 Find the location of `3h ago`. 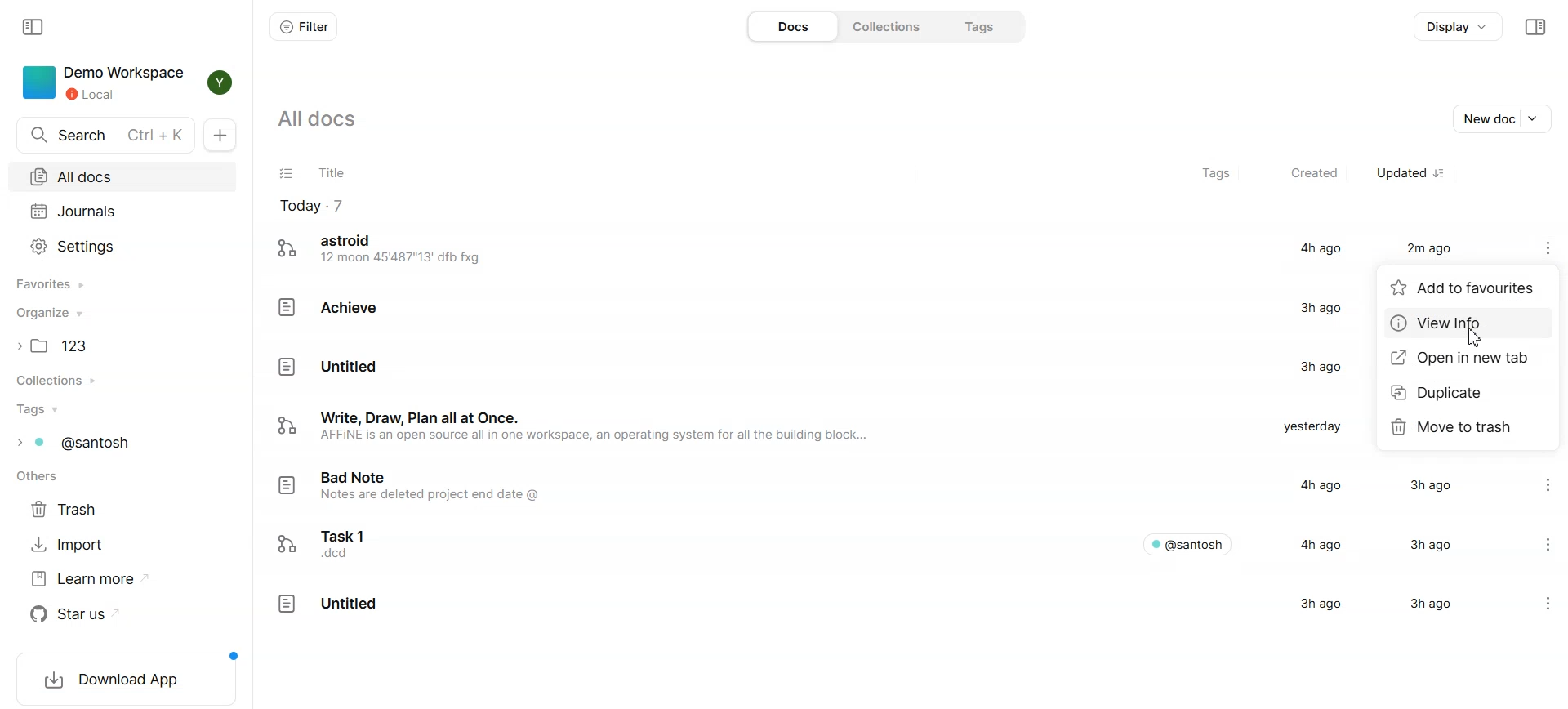

3h ago is located at coordinates (1326, 607).